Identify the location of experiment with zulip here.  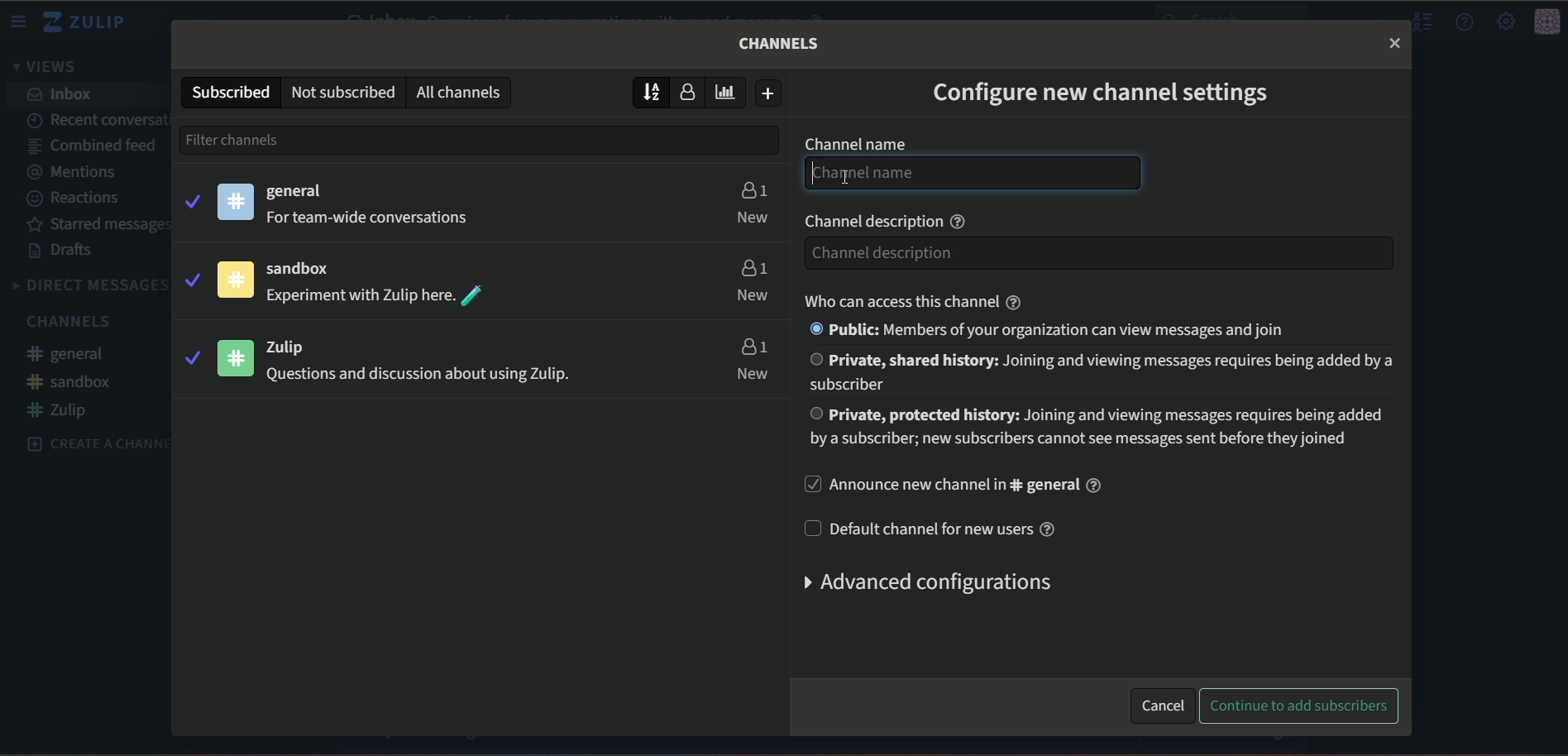
(377, 296).